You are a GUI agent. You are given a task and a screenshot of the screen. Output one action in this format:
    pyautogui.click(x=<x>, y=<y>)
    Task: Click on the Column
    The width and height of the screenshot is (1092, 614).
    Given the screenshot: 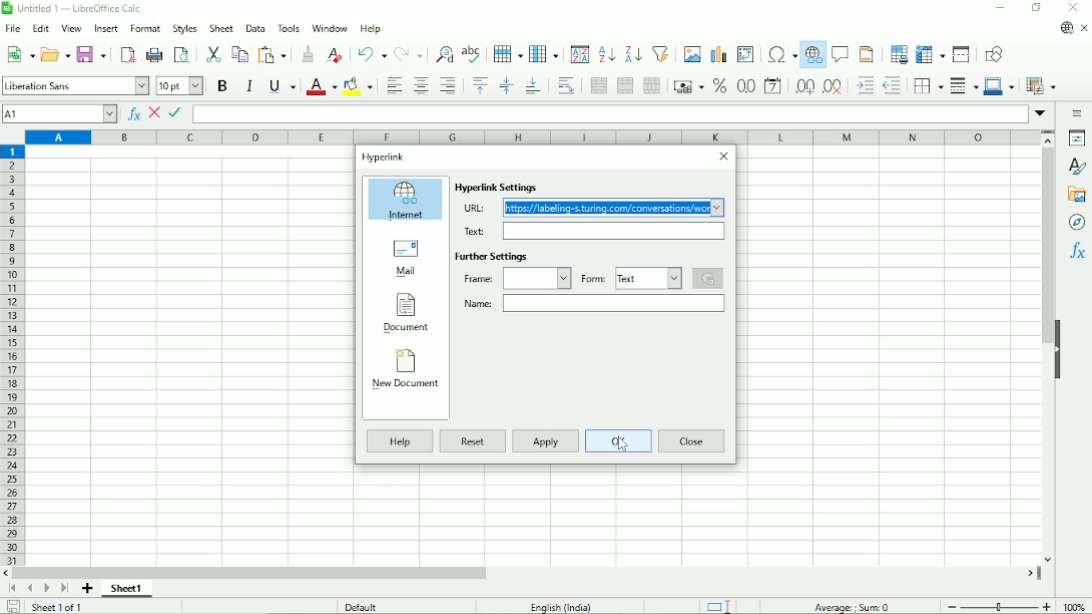 What is the action you would take?
    pyautogui.click(x=546, y=54)
    